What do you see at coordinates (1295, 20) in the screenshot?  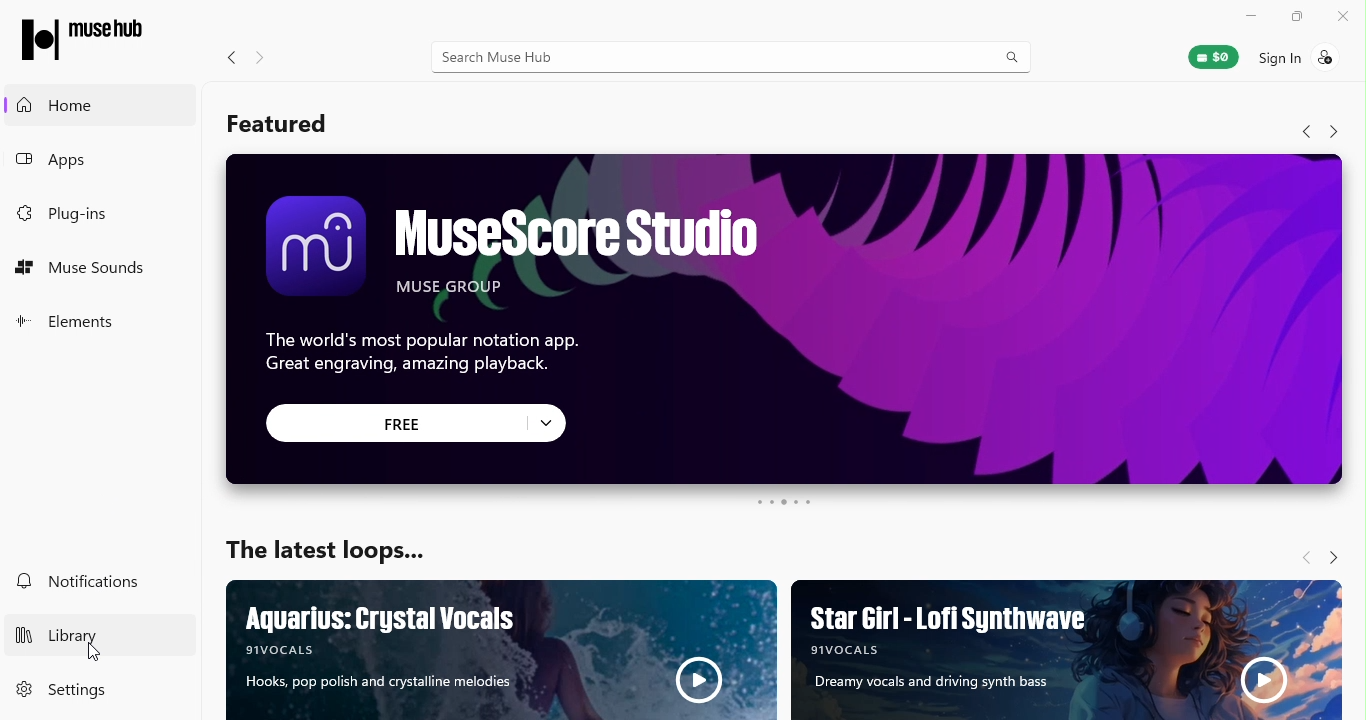 I see `Restore` at bounding box center [1295, 20].